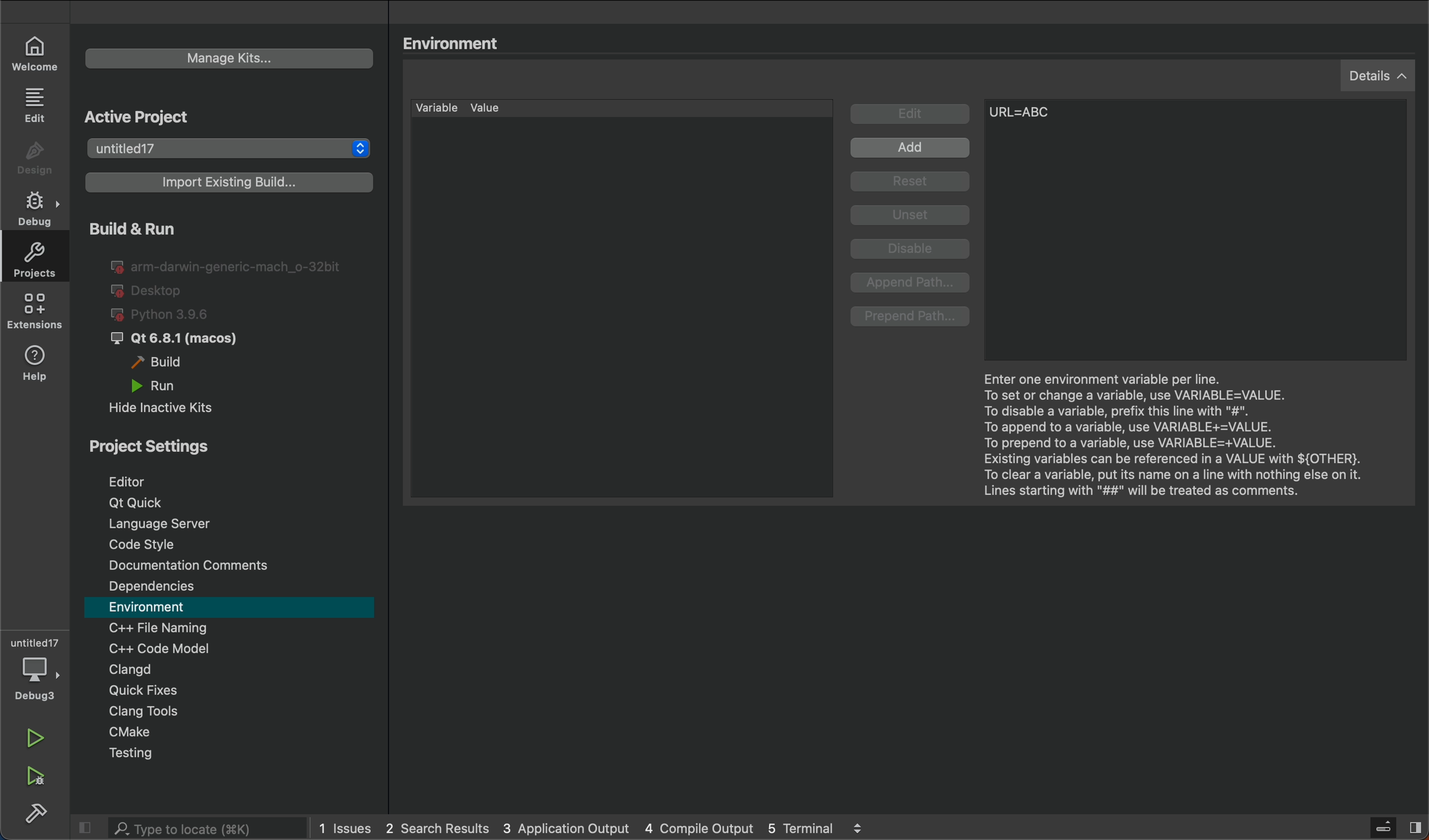 The width and height of the screenshot is (1429, 840). Describe the element at coordinates (231, 691) in the screenshot. I see `quick fixes` at that location.